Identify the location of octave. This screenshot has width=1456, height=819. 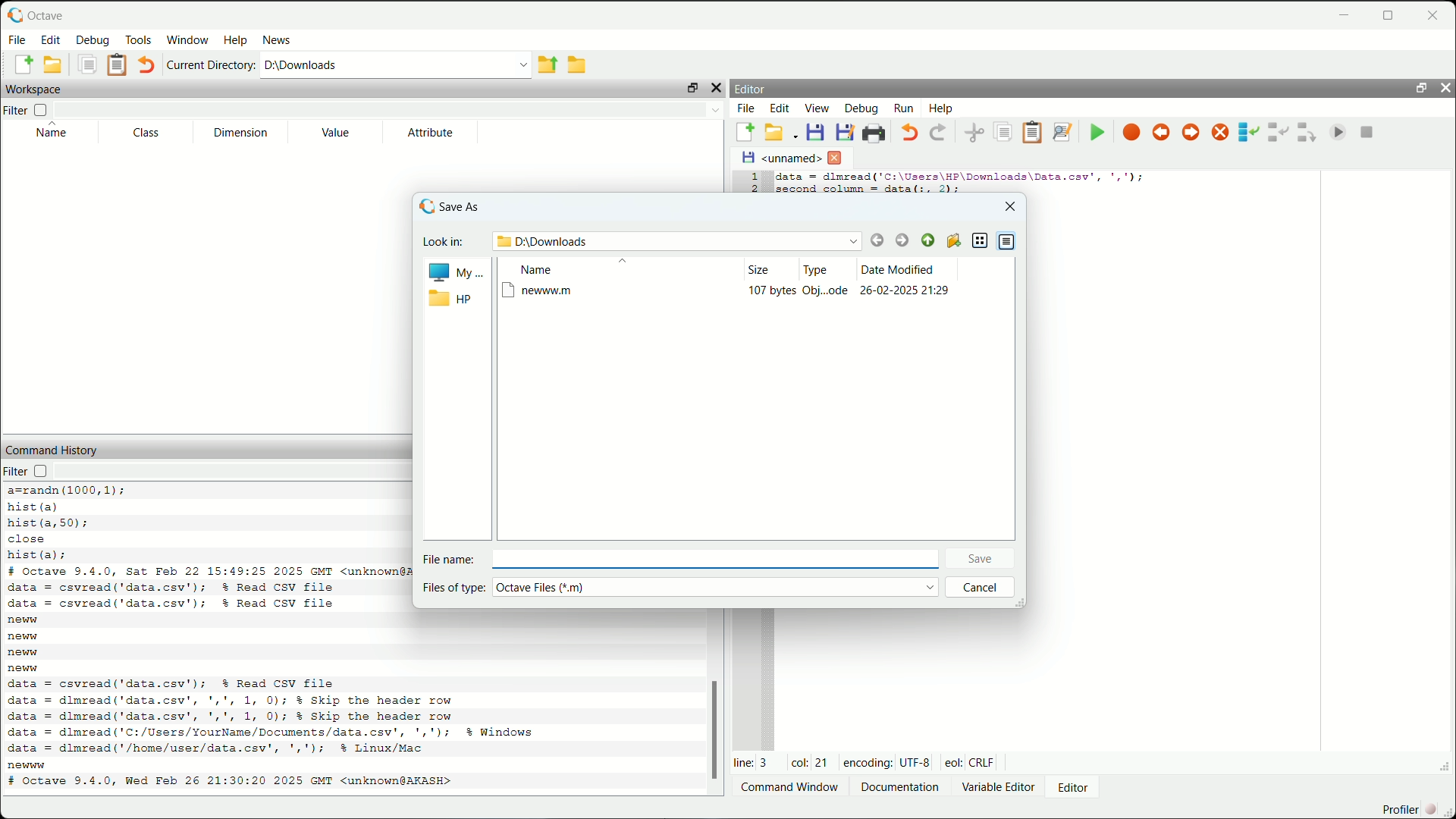
(65, 12).